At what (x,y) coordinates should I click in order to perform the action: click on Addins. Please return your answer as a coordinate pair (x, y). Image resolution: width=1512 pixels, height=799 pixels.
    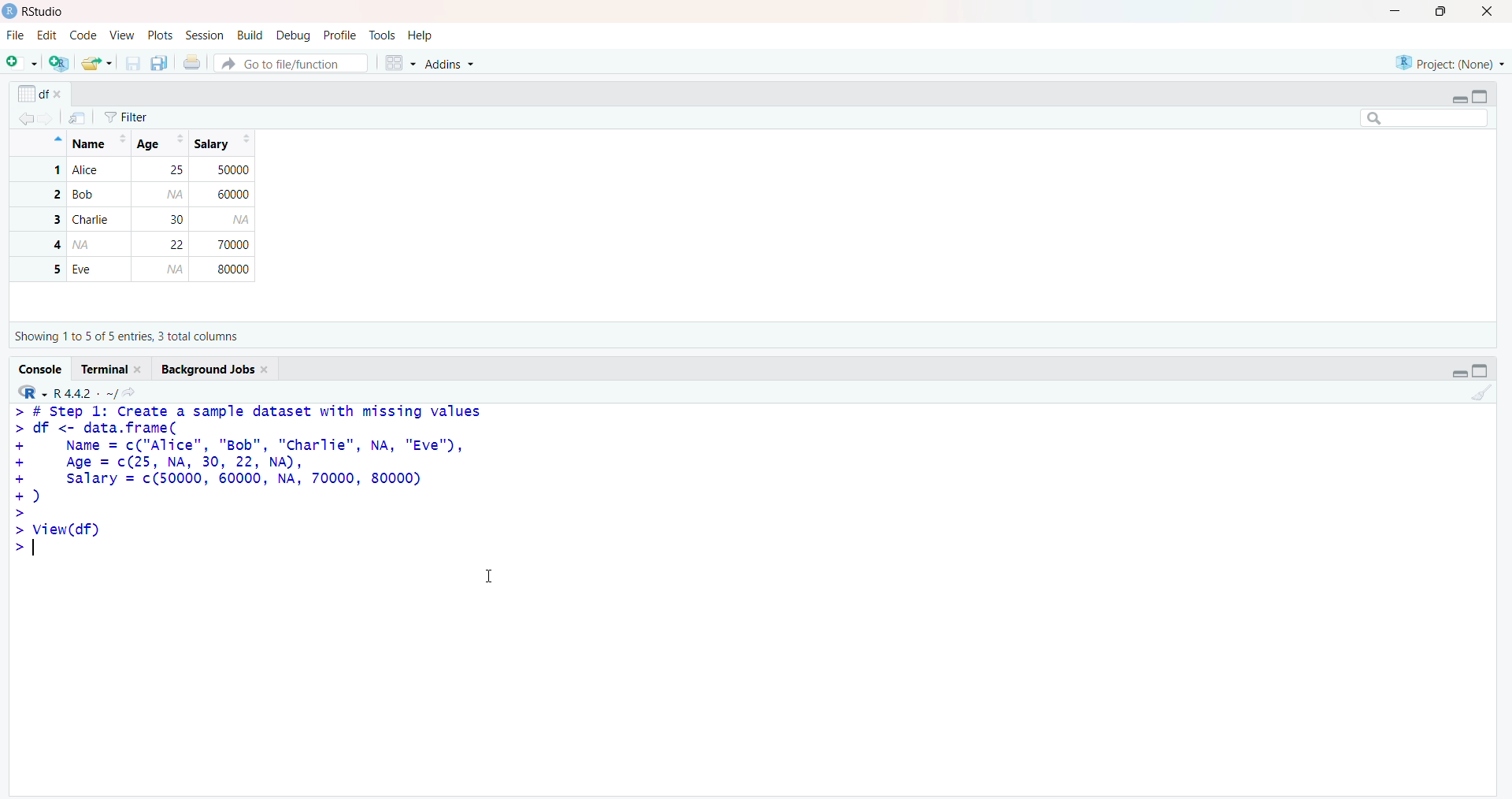
    Looking at the image, I should click on (458, 61).